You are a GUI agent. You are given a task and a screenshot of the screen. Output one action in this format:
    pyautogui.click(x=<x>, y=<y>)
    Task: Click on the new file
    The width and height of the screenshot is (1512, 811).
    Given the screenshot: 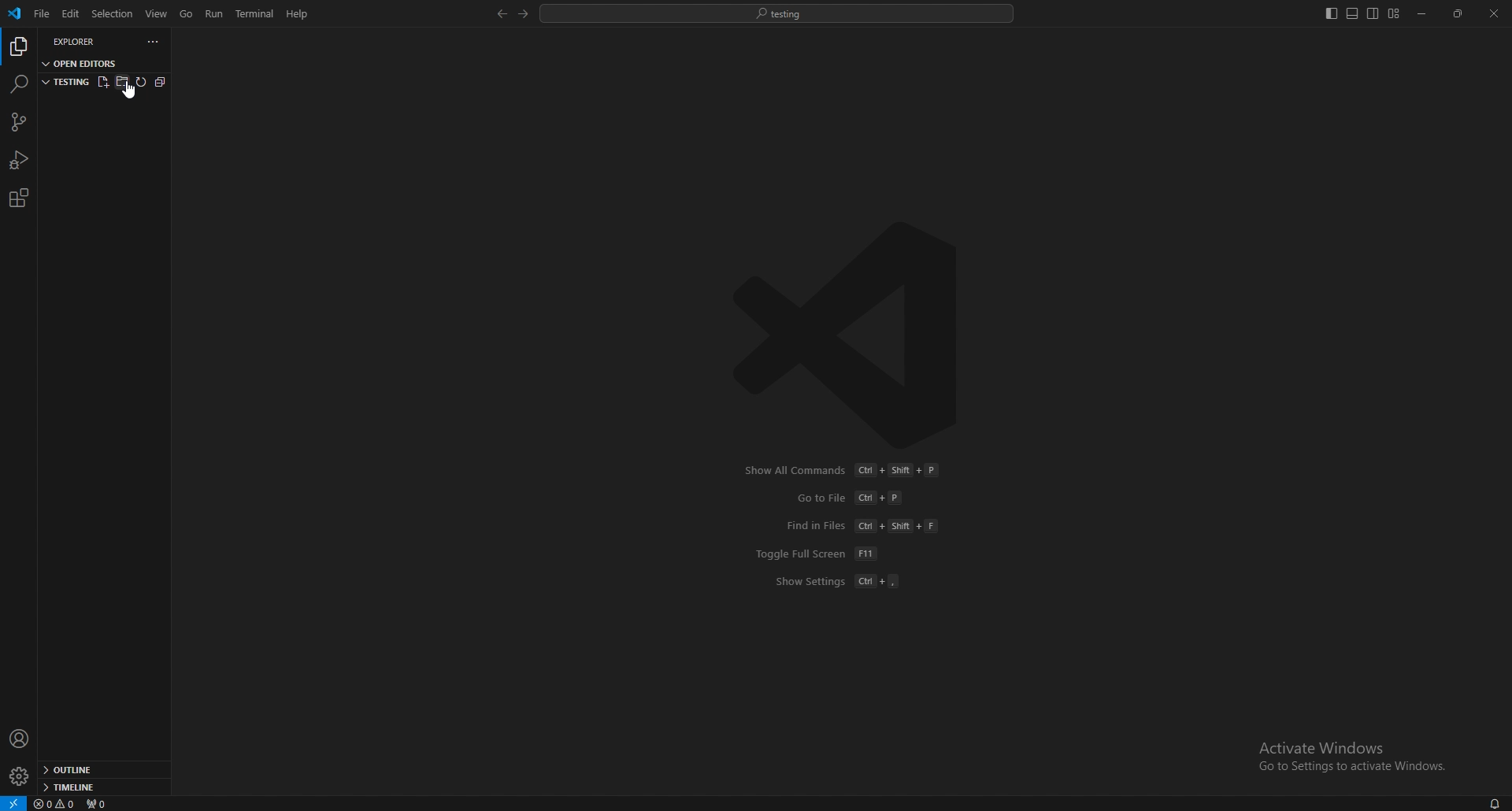 What is the action you would take?
    pyautogui.click(x=102, y=80)
    